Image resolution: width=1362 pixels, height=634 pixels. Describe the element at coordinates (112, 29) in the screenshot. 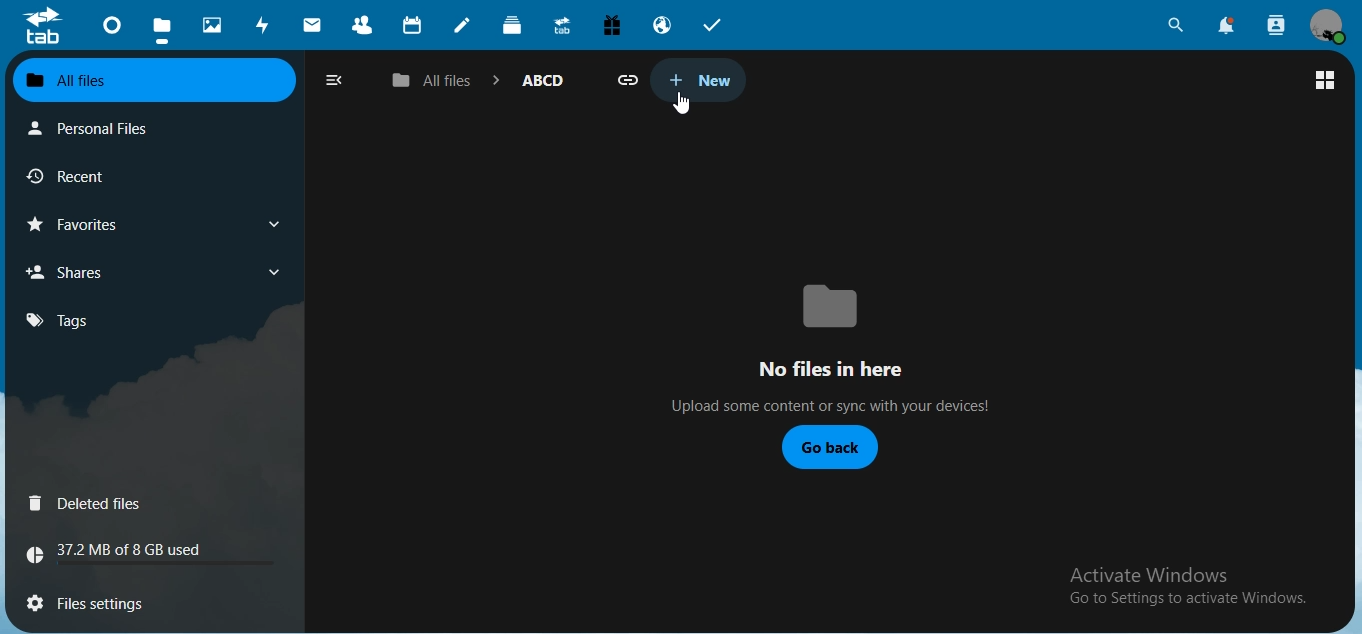

I see `dashboard` at that location.